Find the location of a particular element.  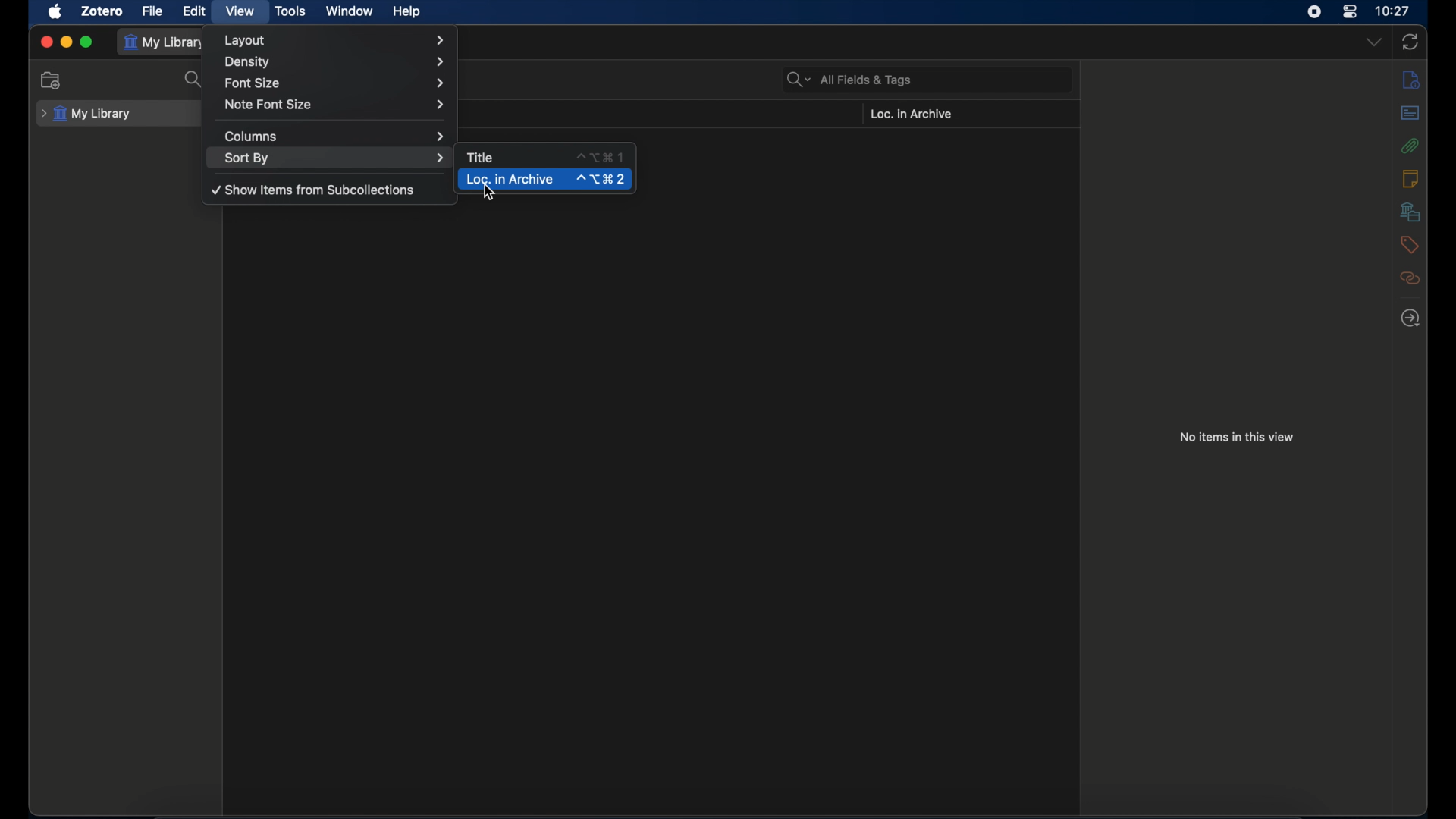

my library is located at coordinates (165, 43).